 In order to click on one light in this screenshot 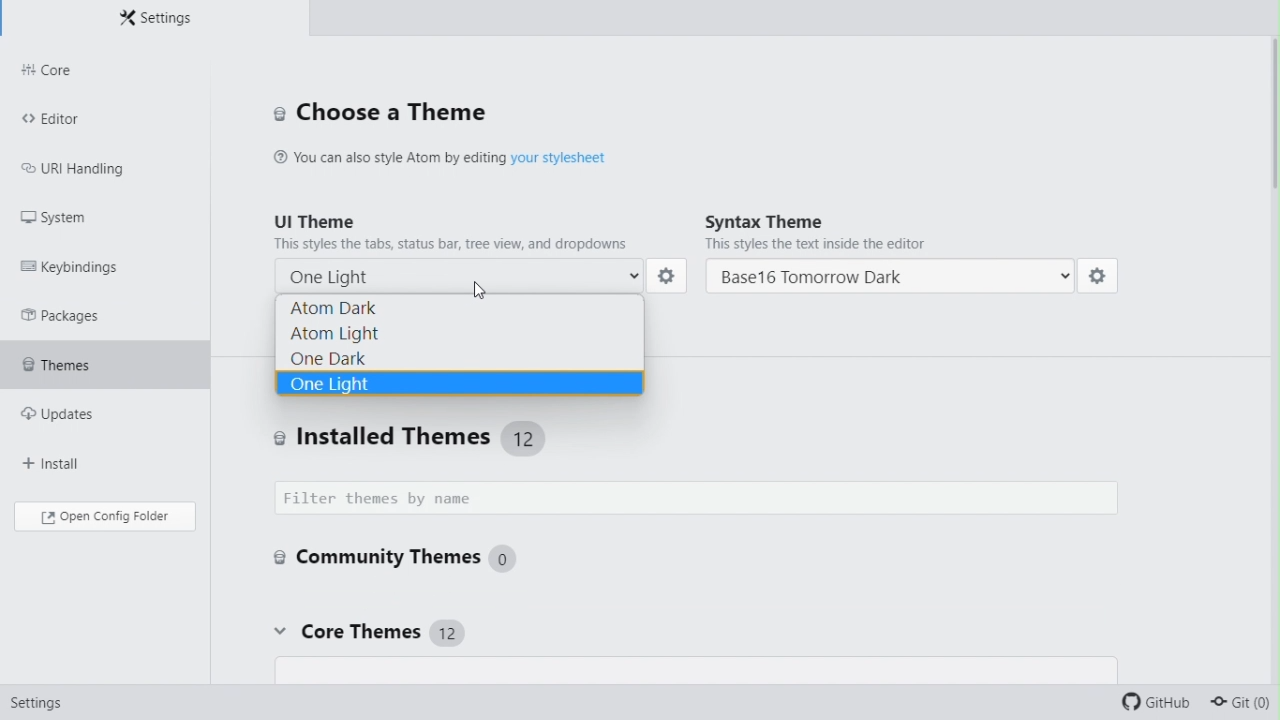, I will do `click(465, 273)`.